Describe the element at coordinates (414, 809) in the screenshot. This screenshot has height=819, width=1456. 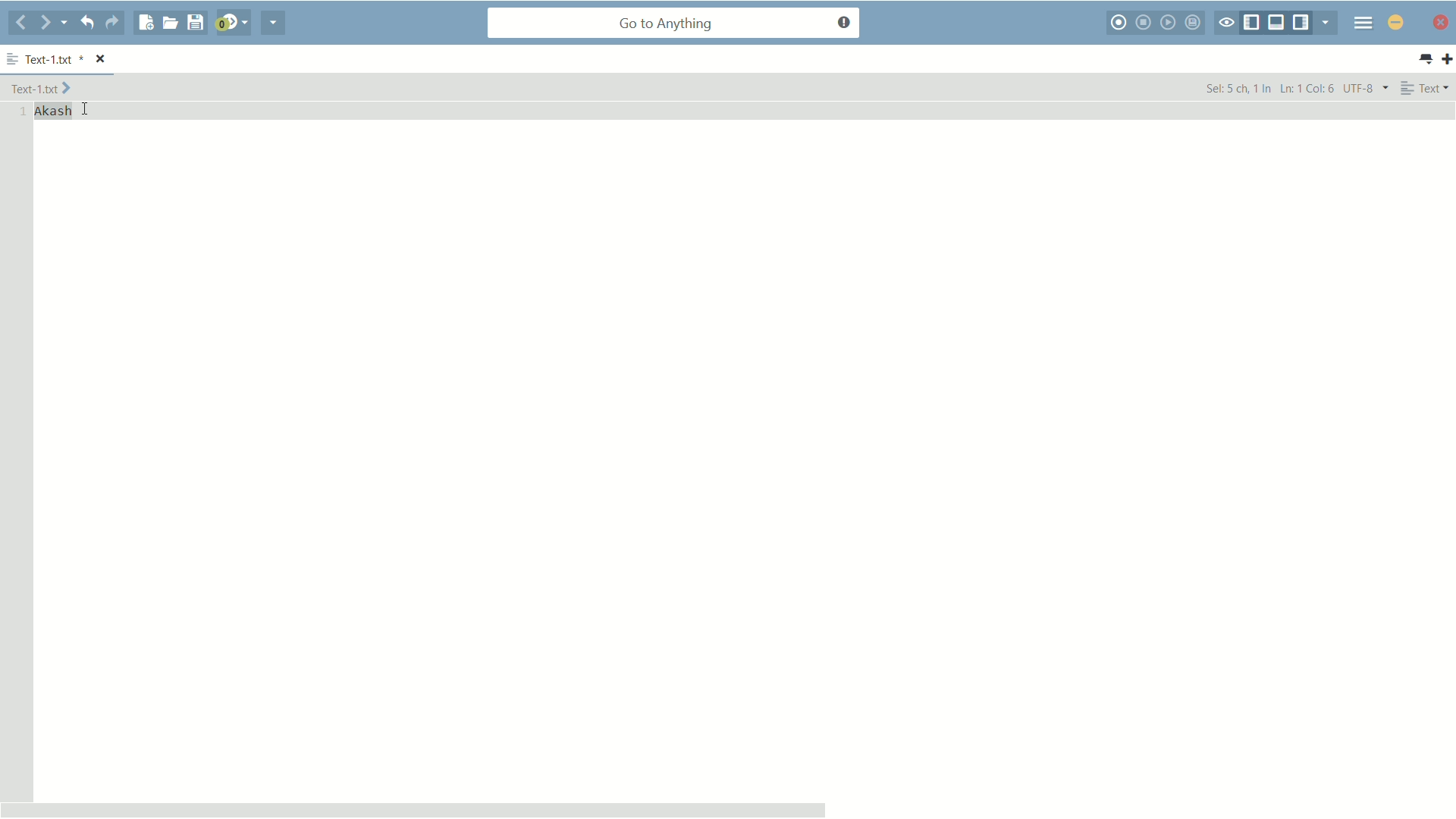
I see `scroll bar` at that location.